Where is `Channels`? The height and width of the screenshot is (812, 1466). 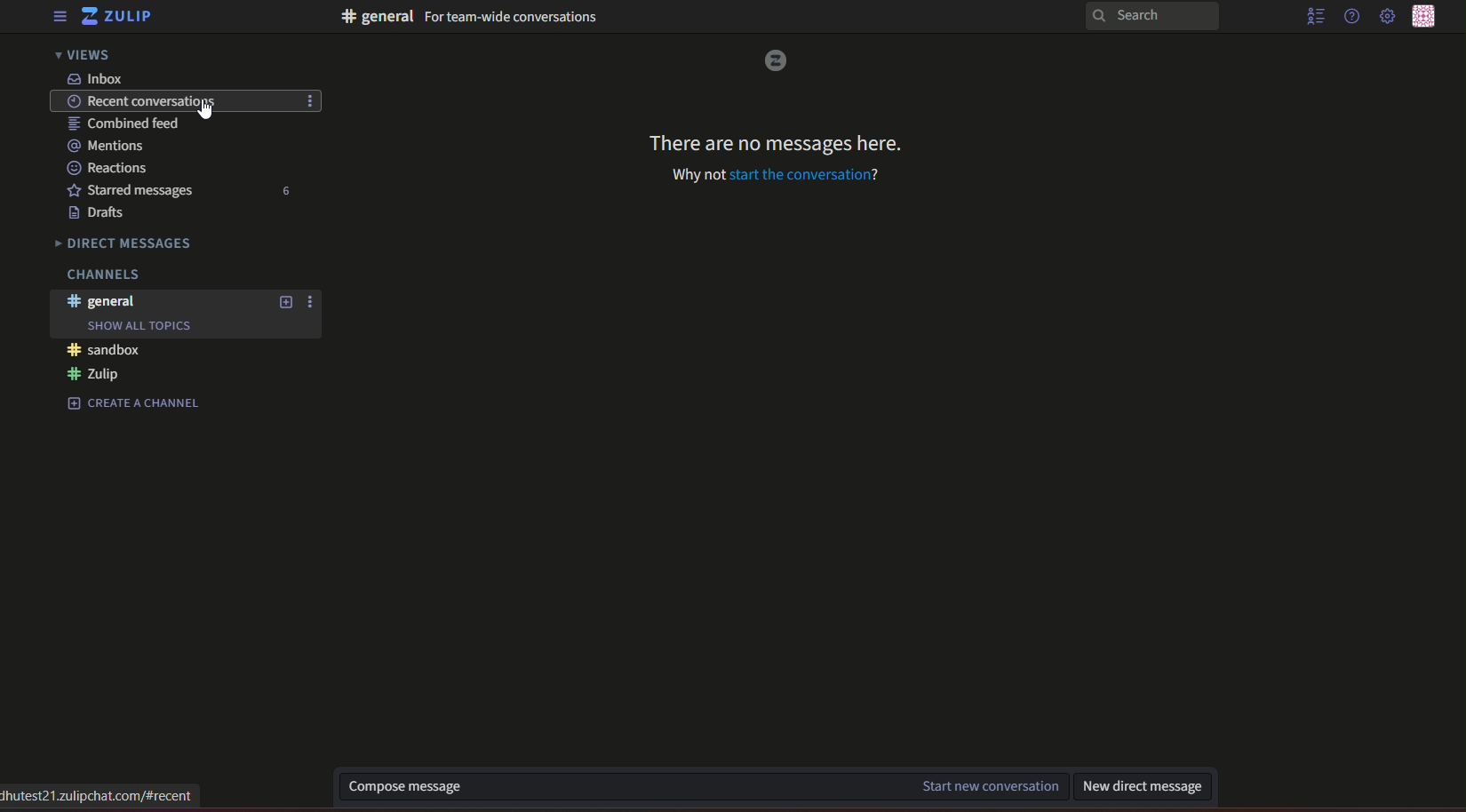
Channels is located at coordinates (101, 275).